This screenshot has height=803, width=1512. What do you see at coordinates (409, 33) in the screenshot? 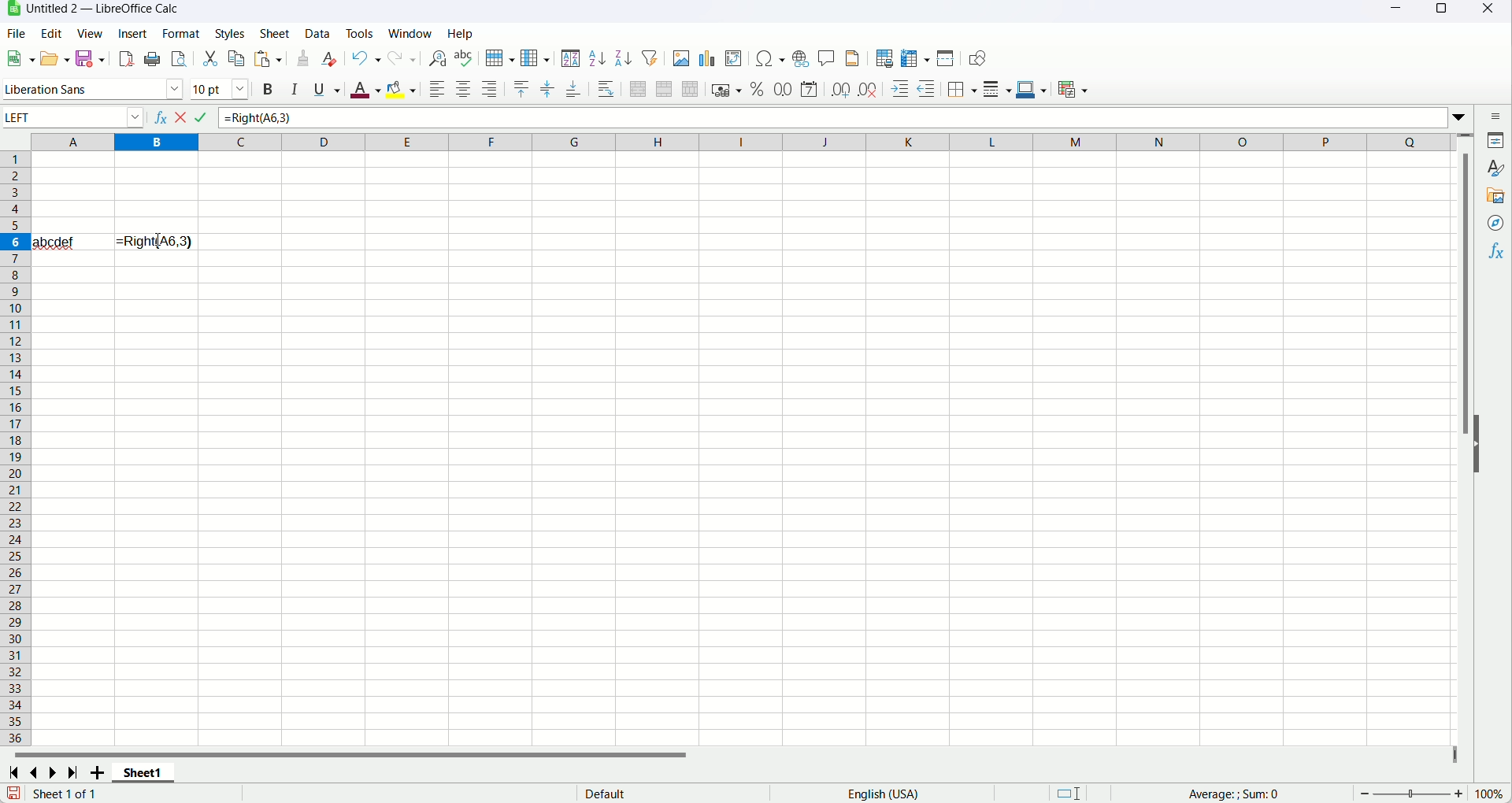
I see `window` at bounding box center [409, 33].